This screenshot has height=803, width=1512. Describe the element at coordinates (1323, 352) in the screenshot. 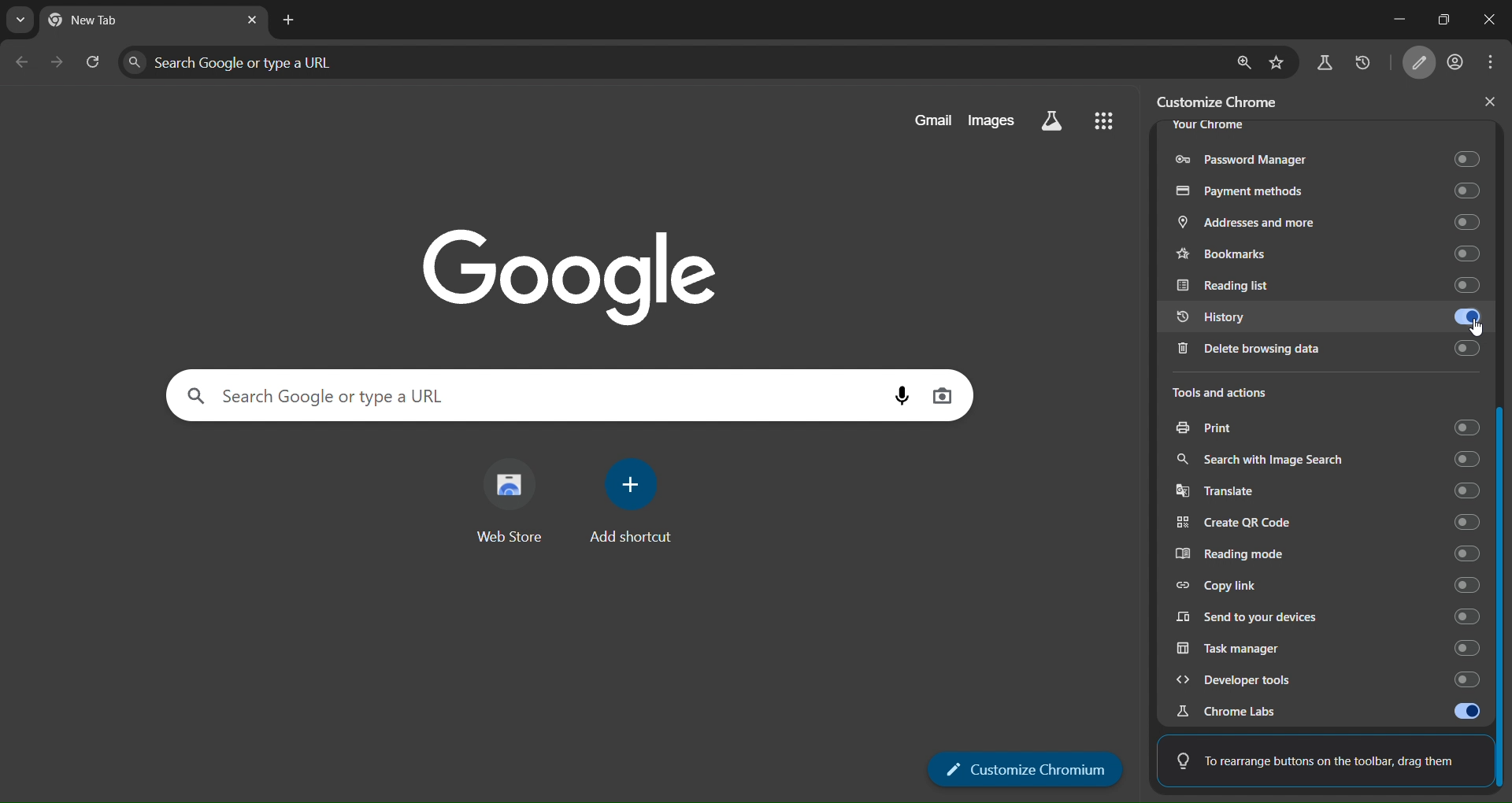

I see `delete brosing data` at that location.